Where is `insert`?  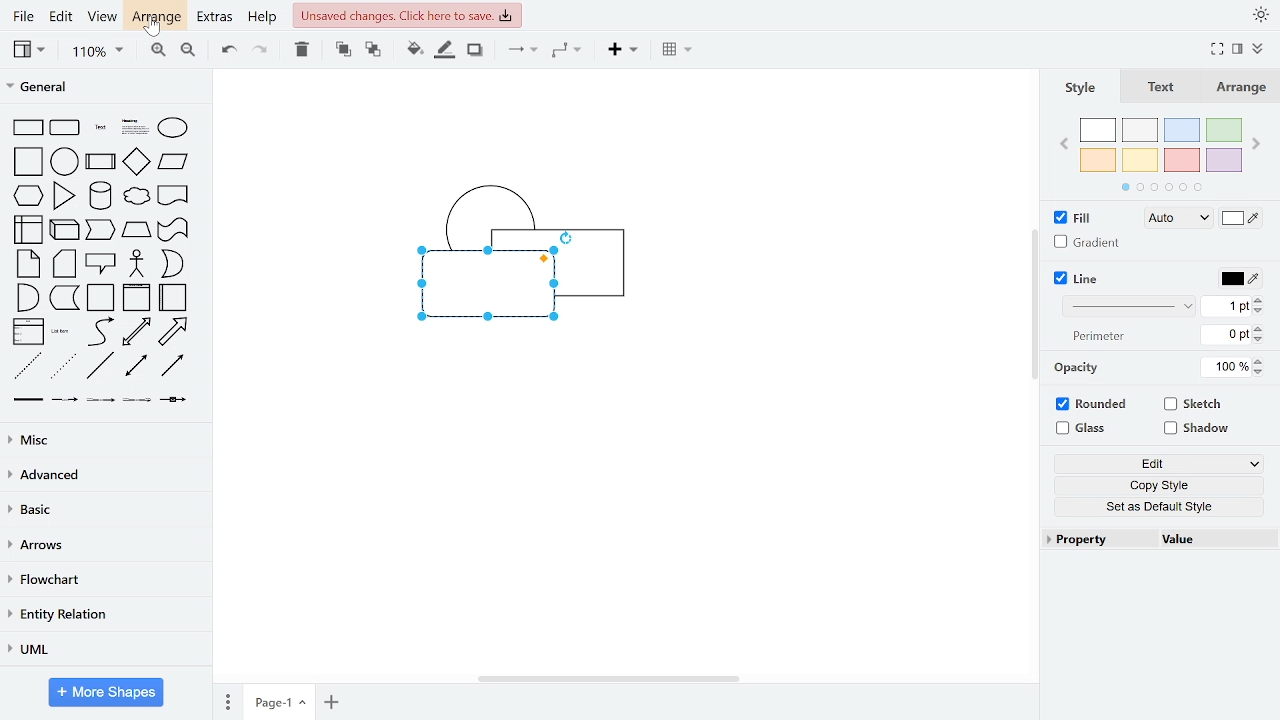
insert is located at coordinates (621, 51).